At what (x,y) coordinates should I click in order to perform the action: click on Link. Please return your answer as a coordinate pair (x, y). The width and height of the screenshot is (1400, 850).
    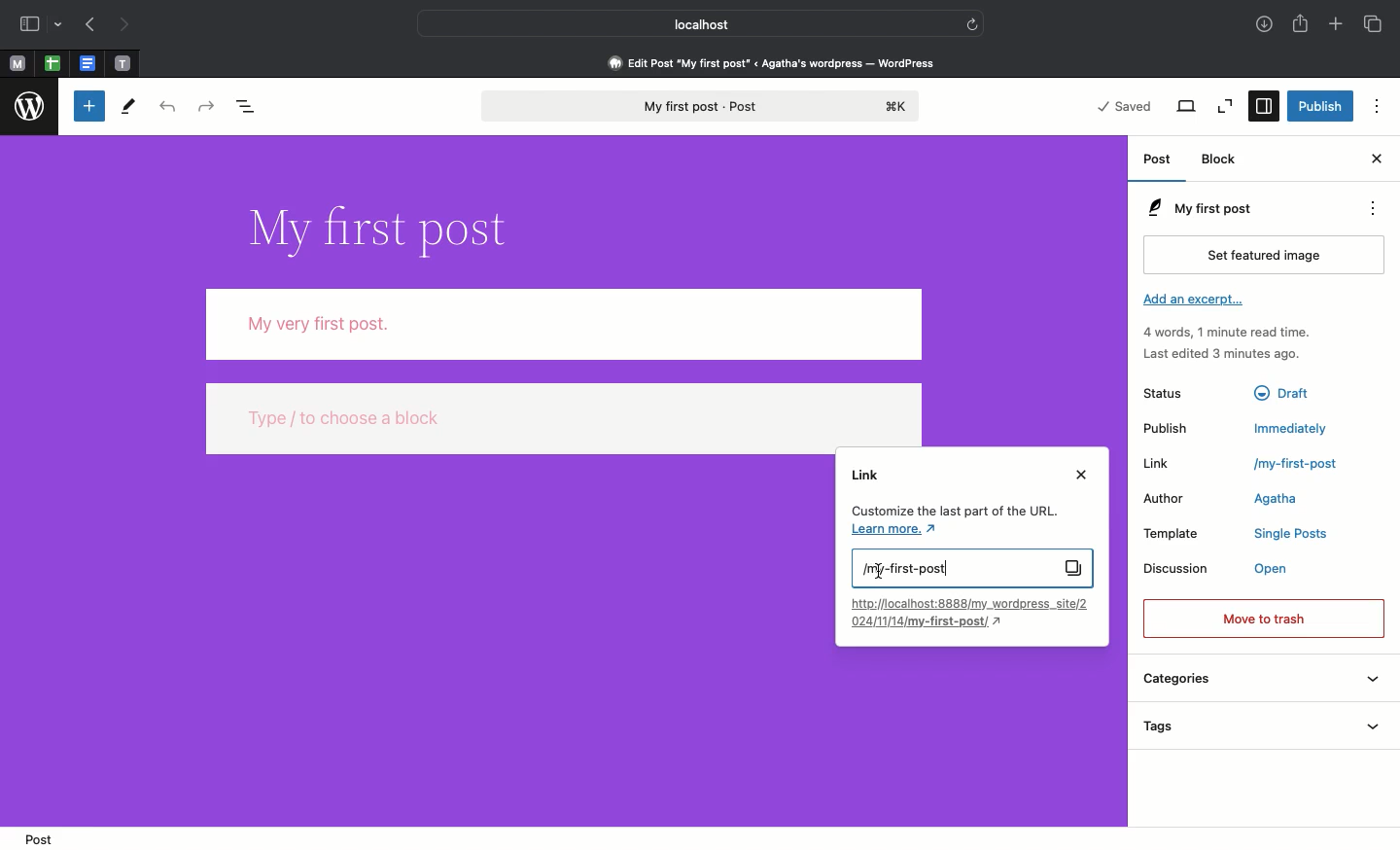
    Looking at the image, I should click on (866, 474).